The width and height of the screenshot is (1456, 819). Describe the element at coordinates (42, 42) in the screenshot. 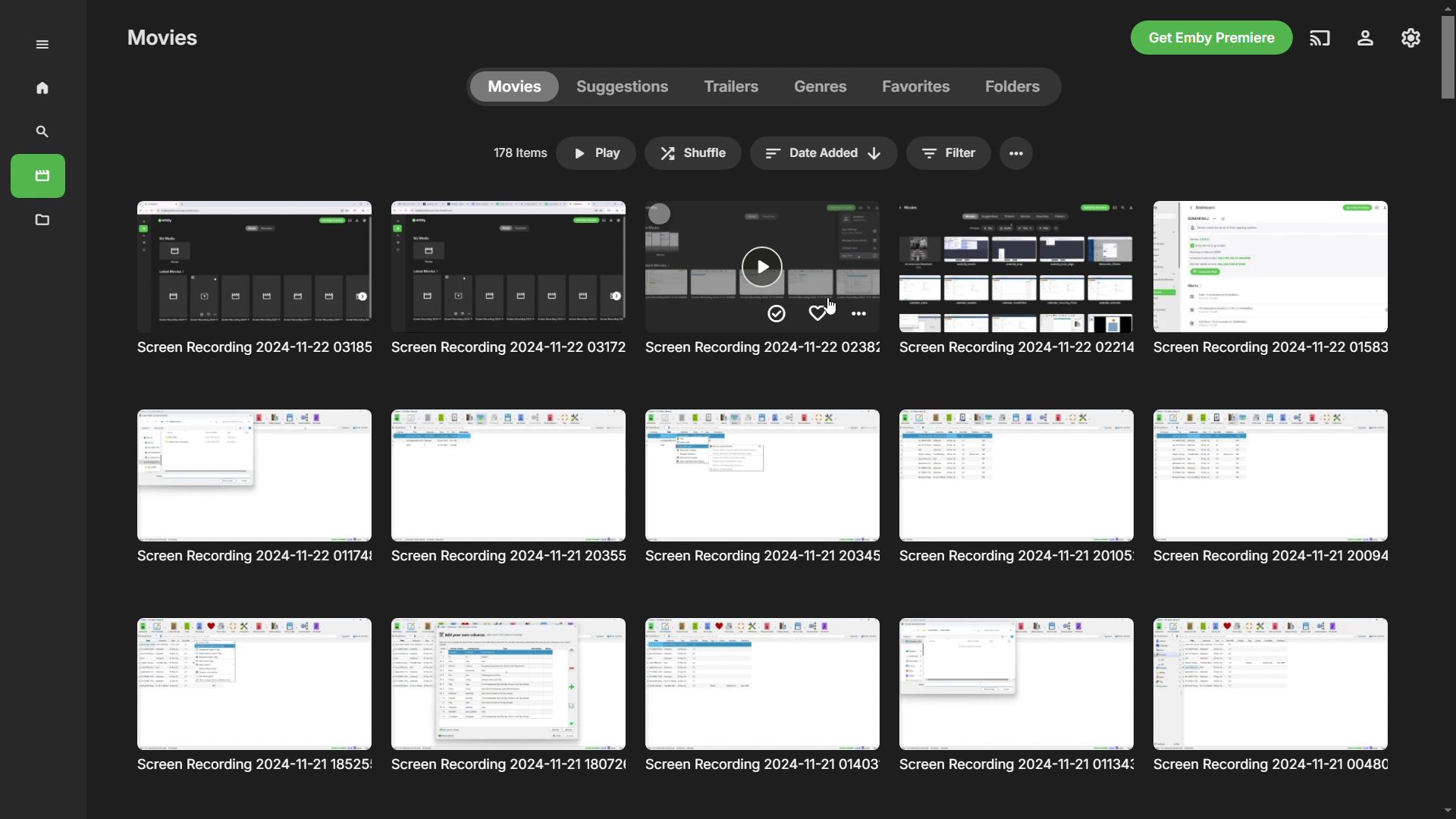

I see `menu` at that location.